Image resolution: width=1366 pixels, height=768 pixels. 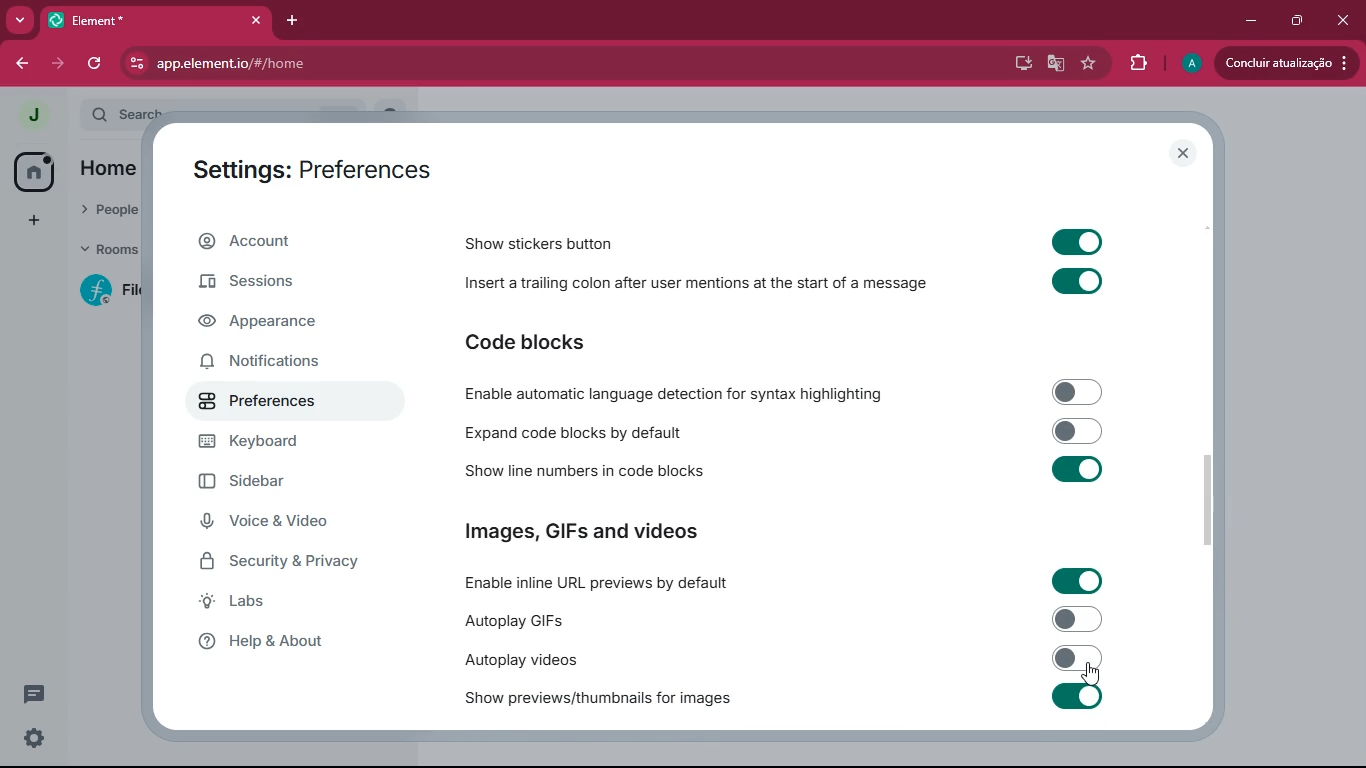 What do you see at coordinates (1247, 19) in the screenshot?
I see `minimize` at bounding box center [1247, 19].